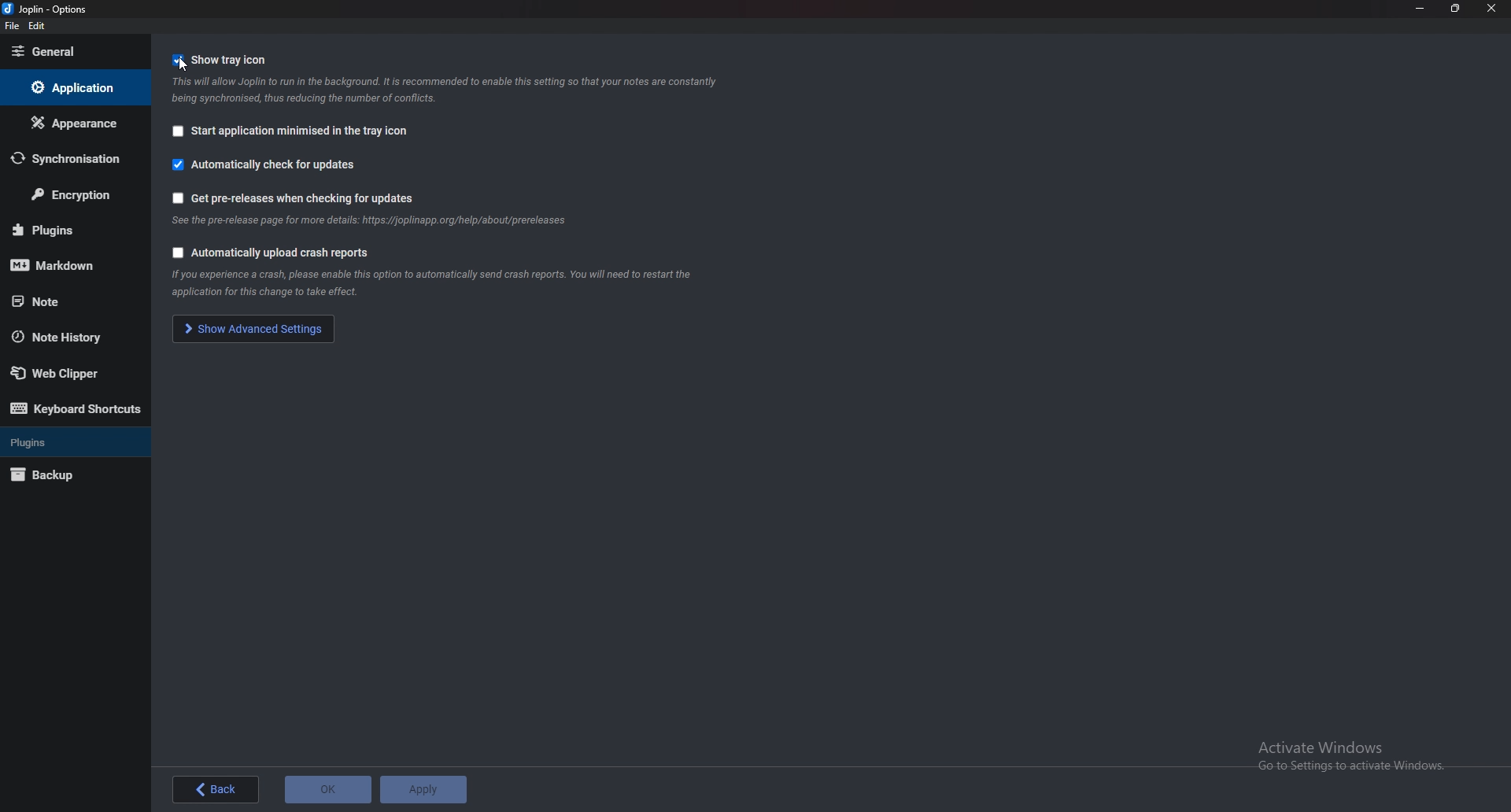 The width and height of the screenshot is (1511, 812). I want to click on cursor, so click(187, 65).